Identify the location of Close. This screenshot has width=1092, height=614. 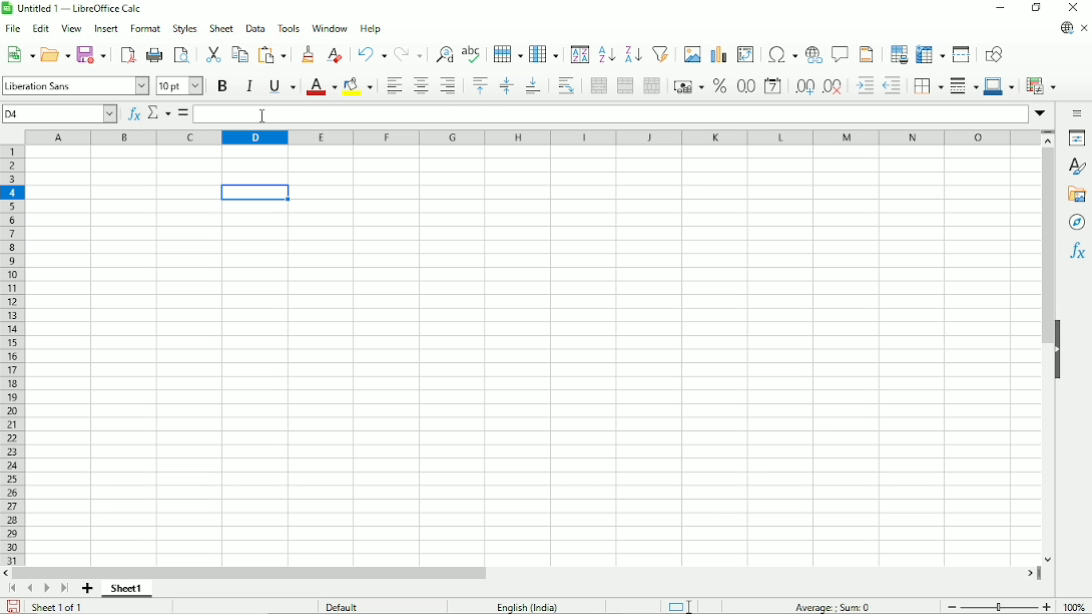
(1074, 7).